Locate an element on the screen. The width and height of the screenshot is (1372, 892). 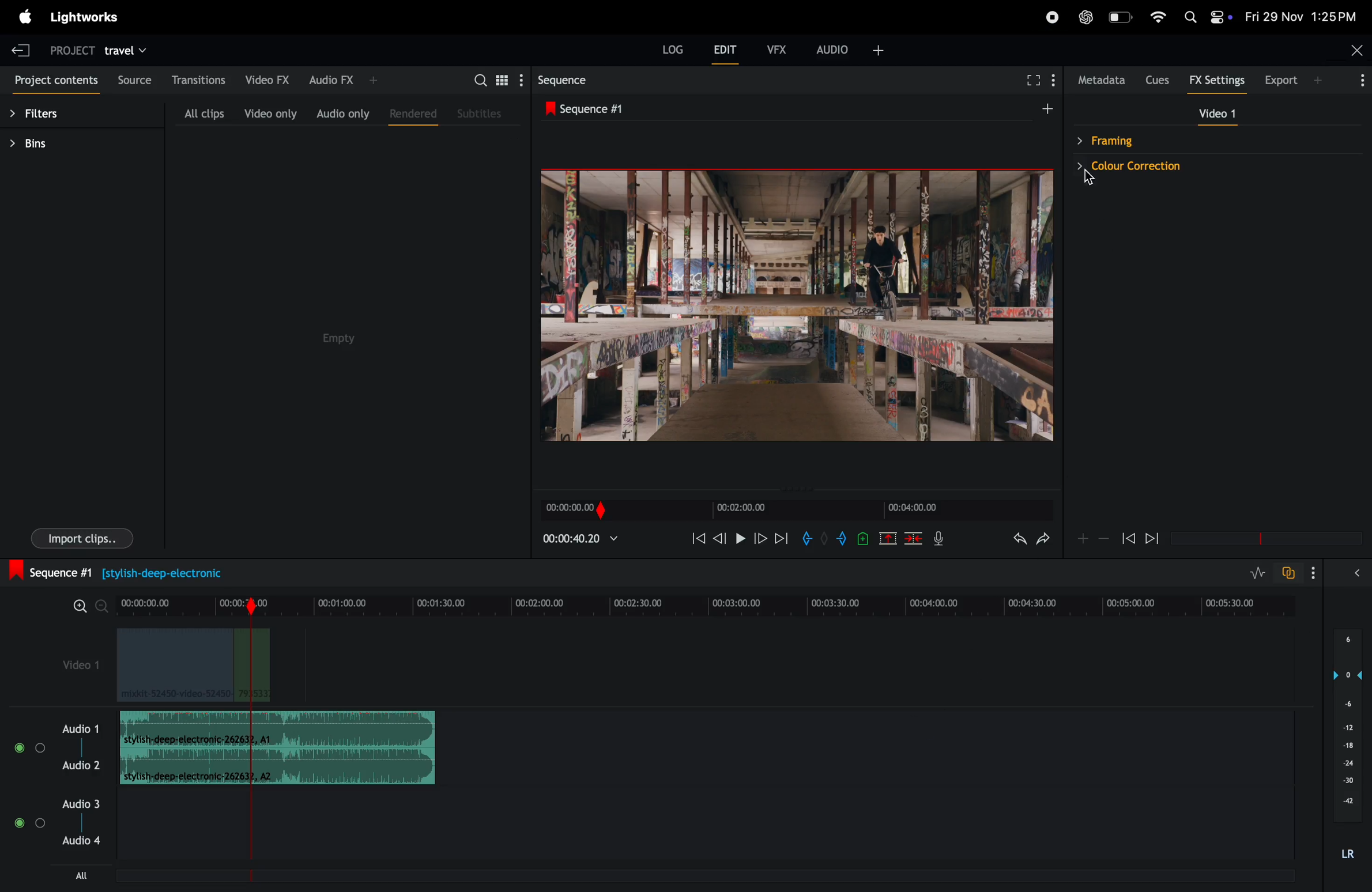
rewind  is located at coordinates (698, 538).